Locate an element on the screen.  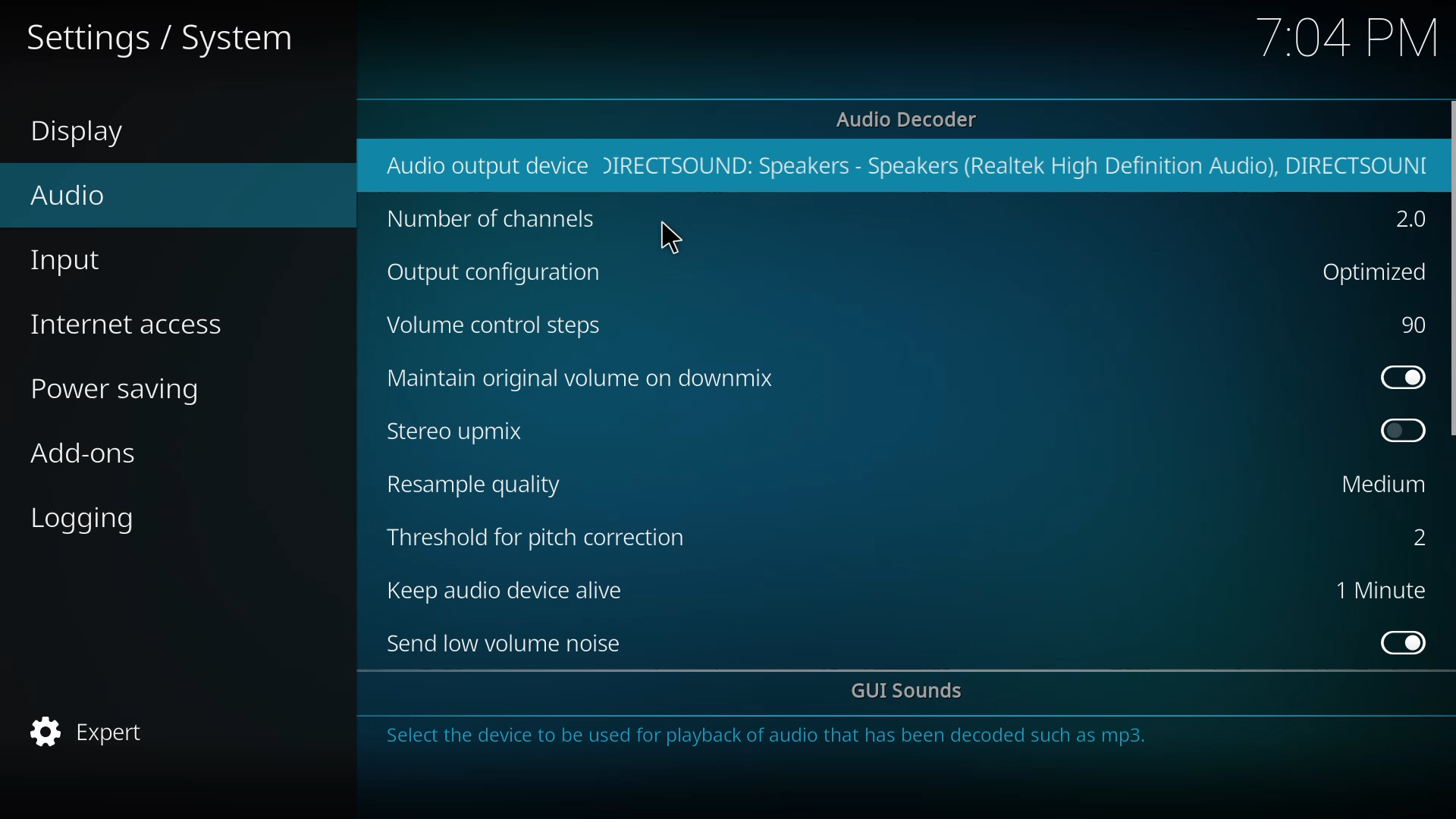
input is located at coordinates (71, 264).